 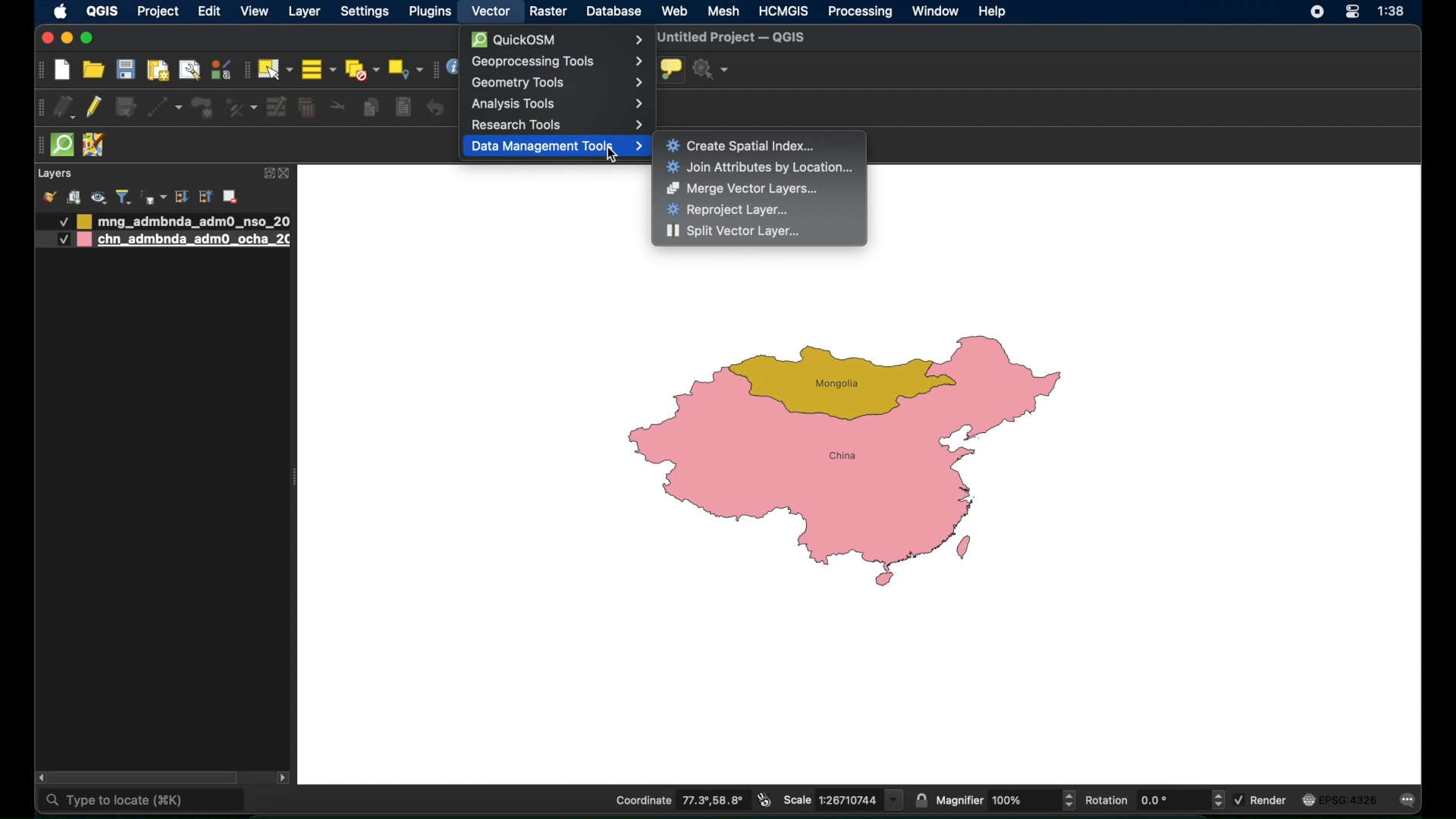 I want to click on Join Attributes by Location..., so click(x=763, y=165).